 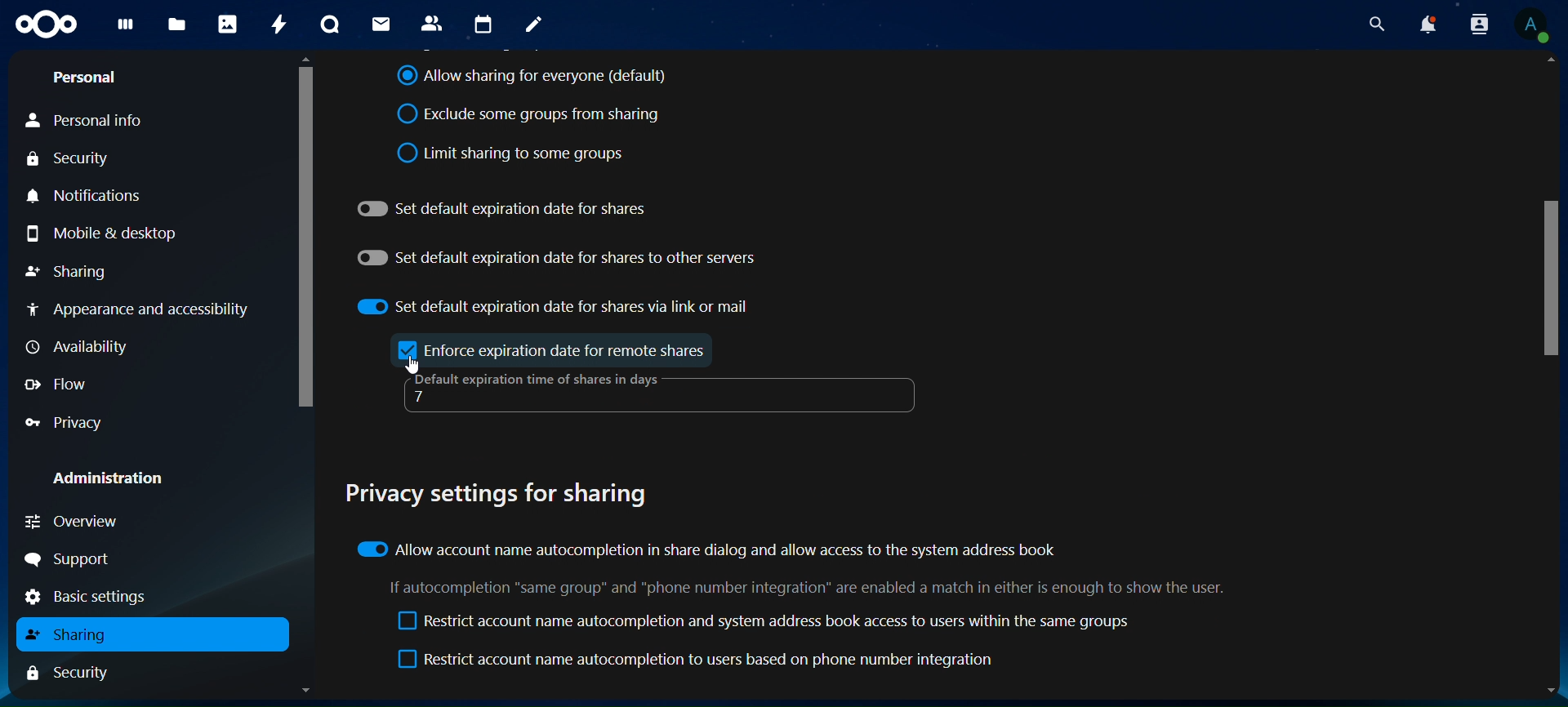 I want to click on security, so click(x=77, y=673).